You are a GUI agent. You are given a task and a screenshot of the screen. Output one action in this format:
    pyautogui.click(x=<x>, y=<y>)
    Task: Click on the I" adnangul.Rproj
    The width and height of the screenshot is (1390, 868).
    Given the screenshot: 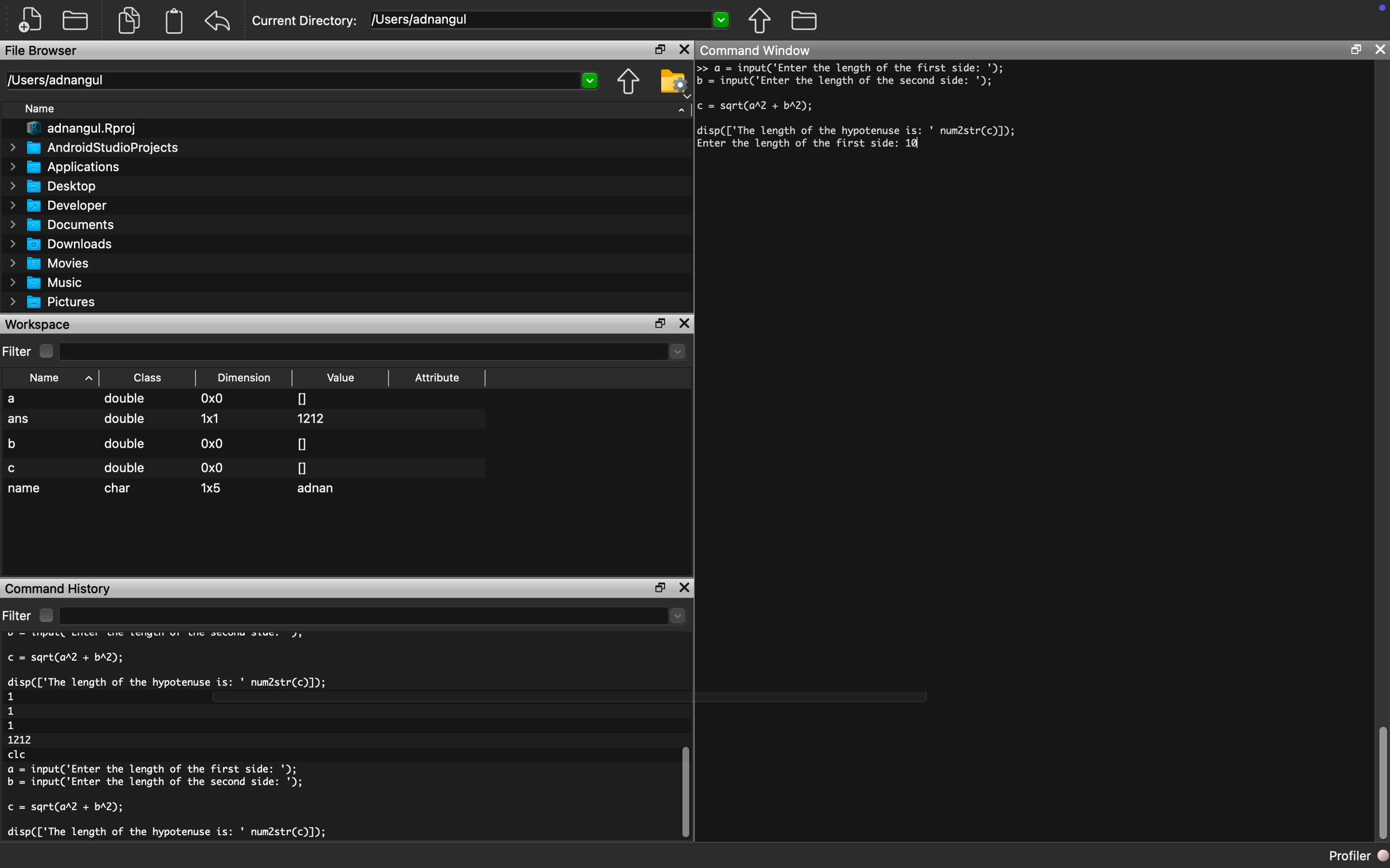 What is the action you would take?
    pyautogui.click(x=89, y=129)
    